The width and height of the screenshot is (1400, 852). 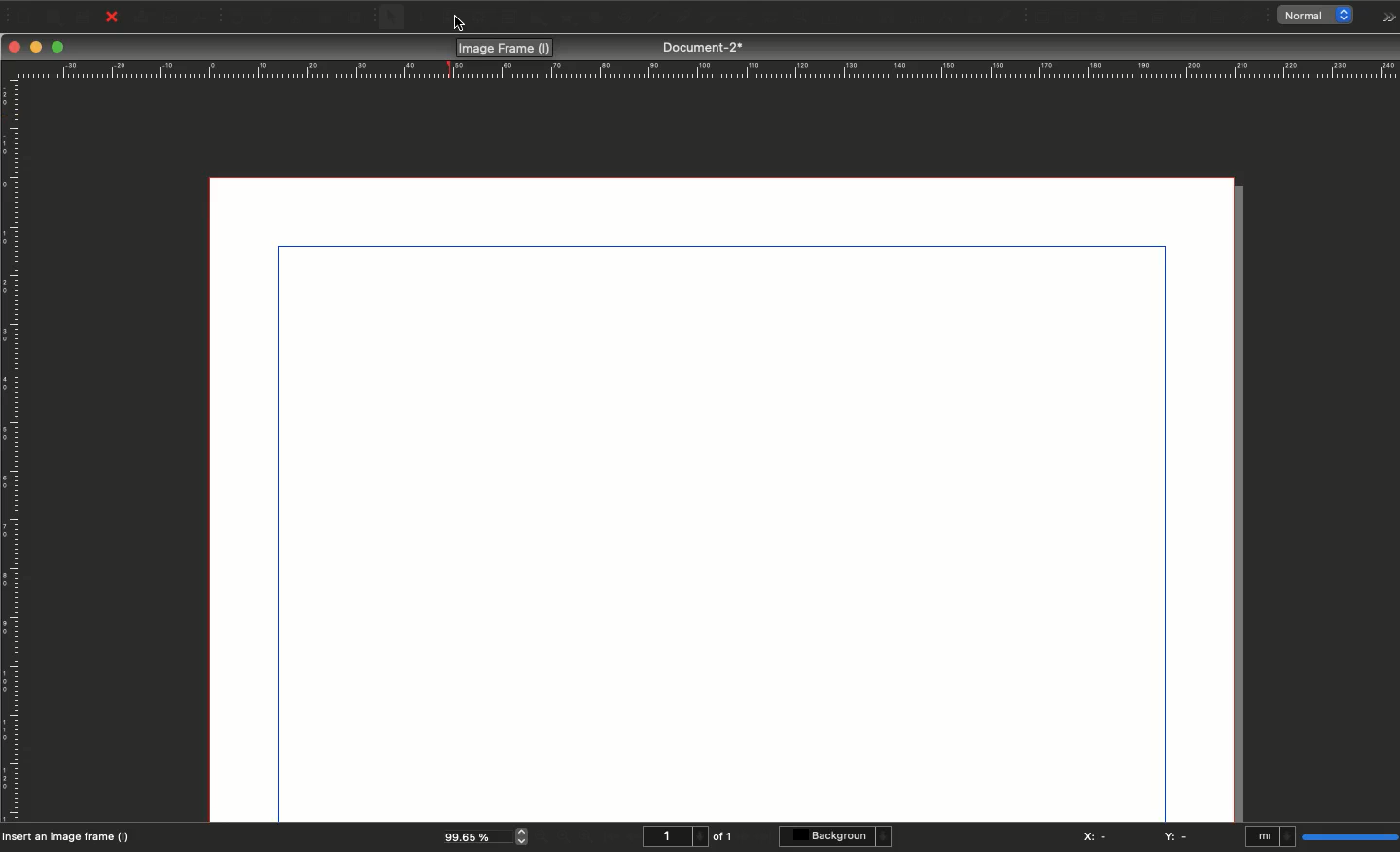 I want to click on normal, so click(x=1320, y=16).